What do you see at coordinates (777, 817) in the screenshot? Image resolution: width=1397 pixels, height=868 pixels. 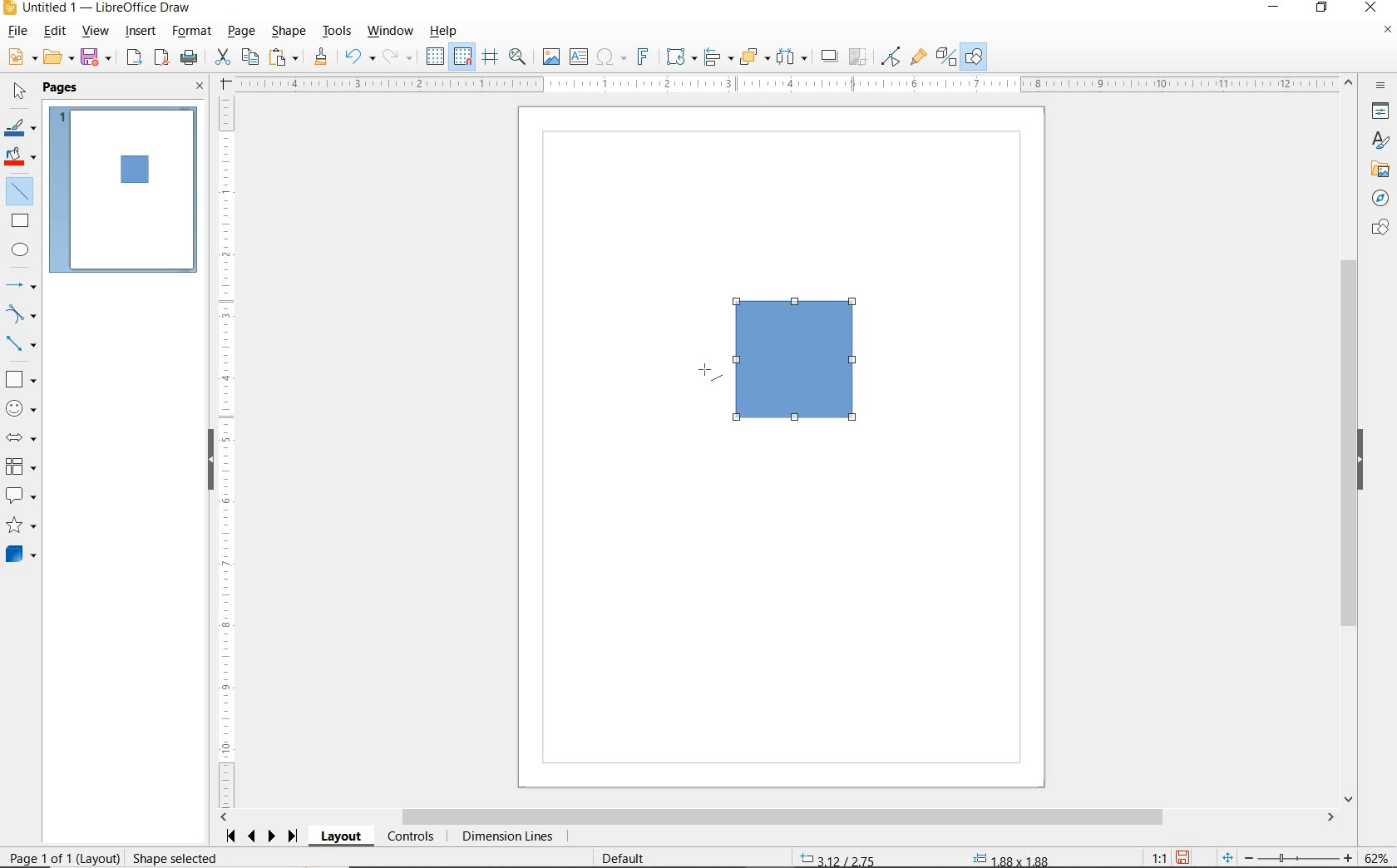 I see `SCROLLBAR` at bounding box center [777, 817].